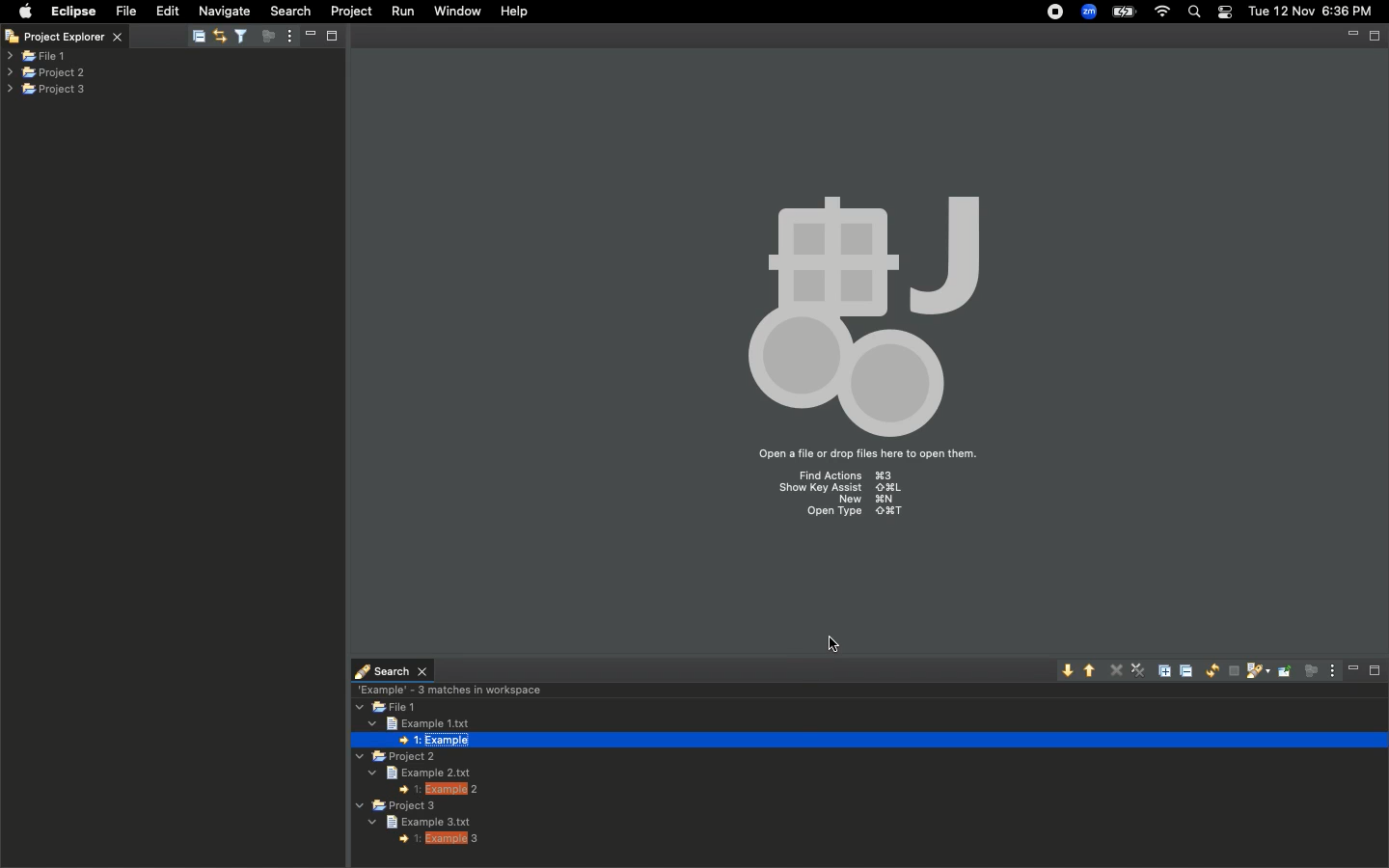 The image size is (1389, 868). I want to click on 1 example 3, so click(438, 837).